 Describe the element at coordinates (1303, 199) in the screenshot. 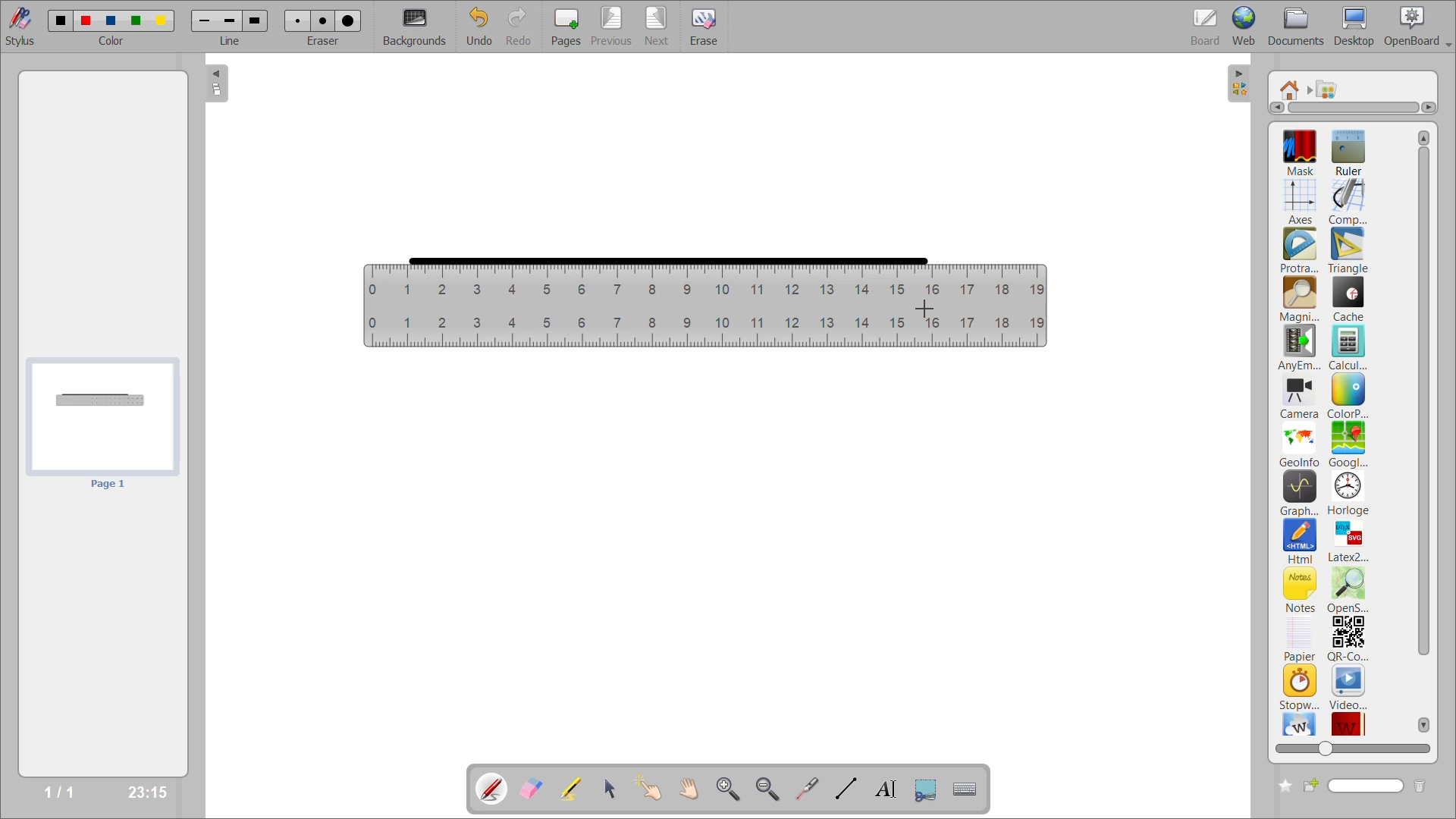

I see `axes` at that location.